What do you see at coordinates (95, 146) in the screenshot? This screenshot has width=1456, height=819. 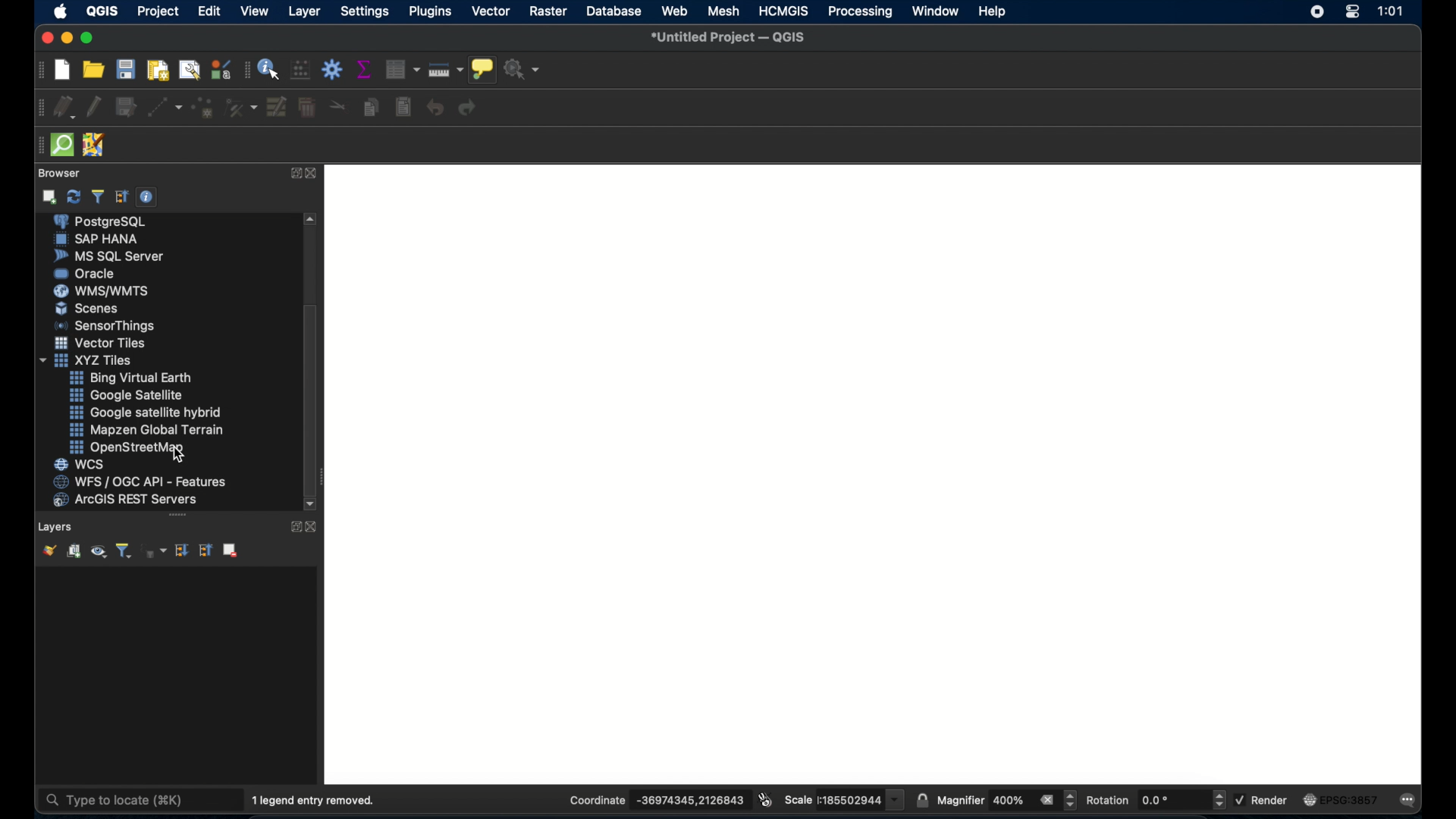 I see `JSOM remote` at bounding box center [95, 146].